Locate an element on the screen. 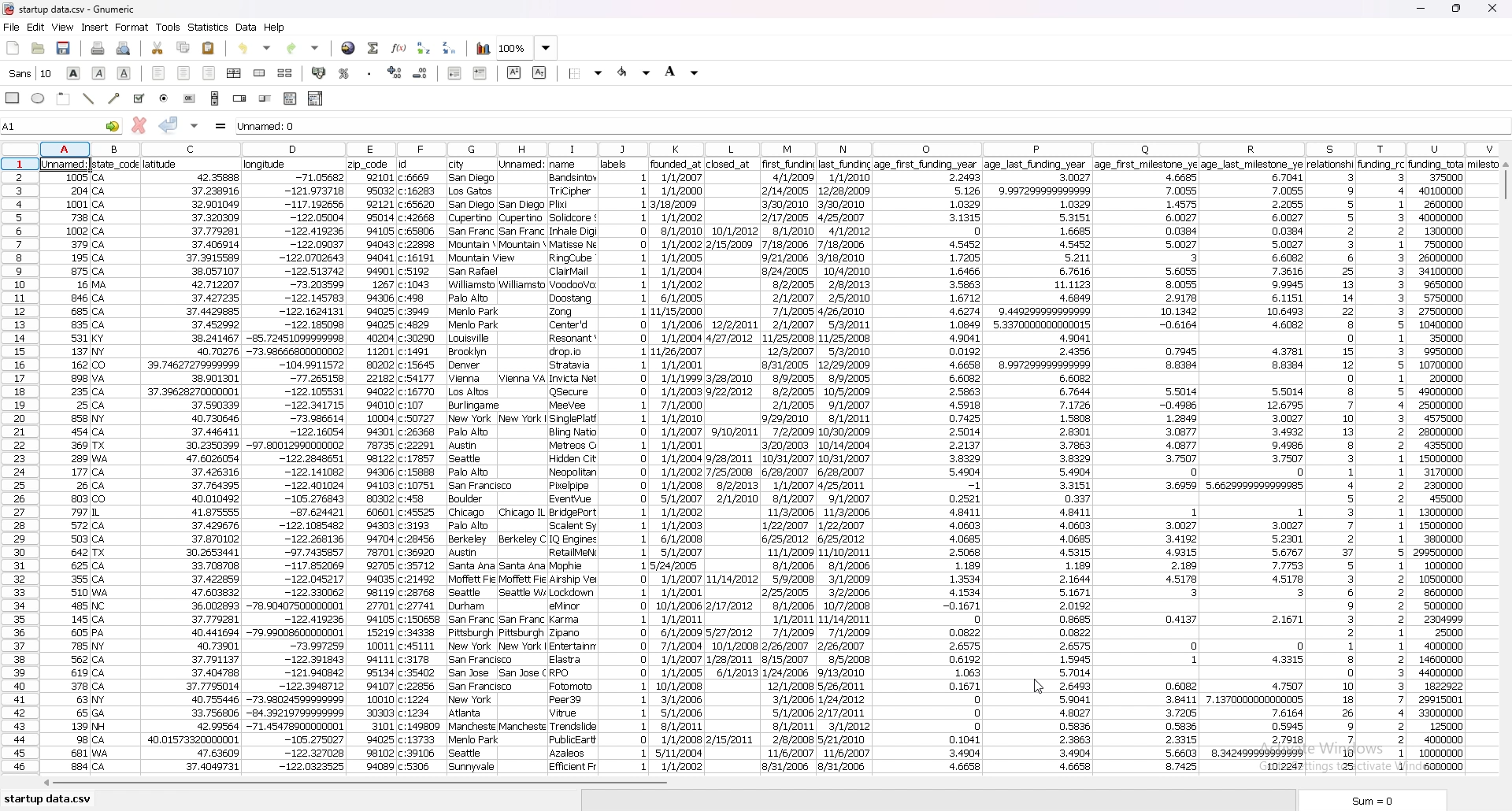  left align is located at coordinates (159, 73).